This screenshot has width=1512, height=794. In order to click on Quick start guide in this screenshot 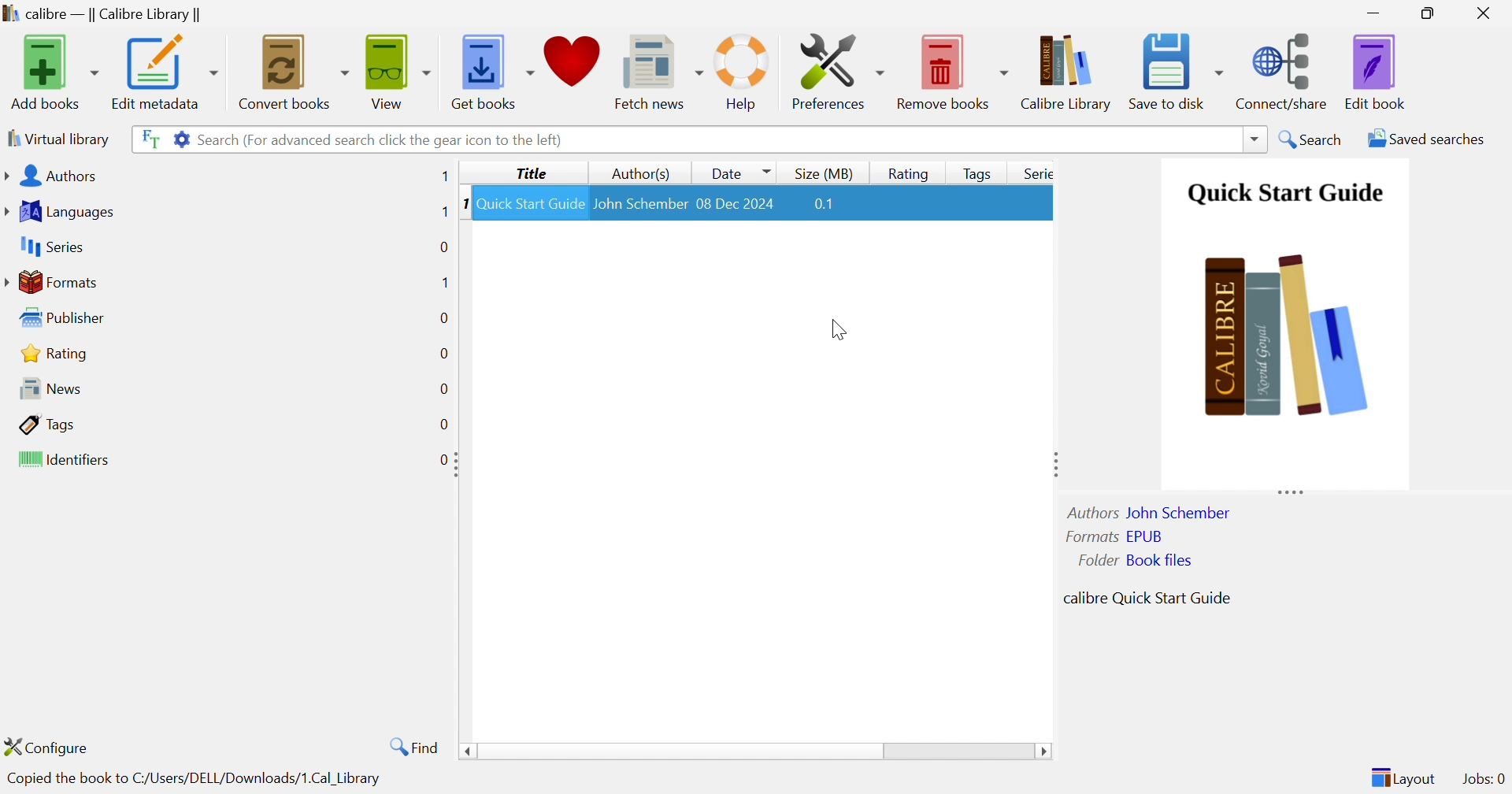, I will do `click(1284, 194)`.